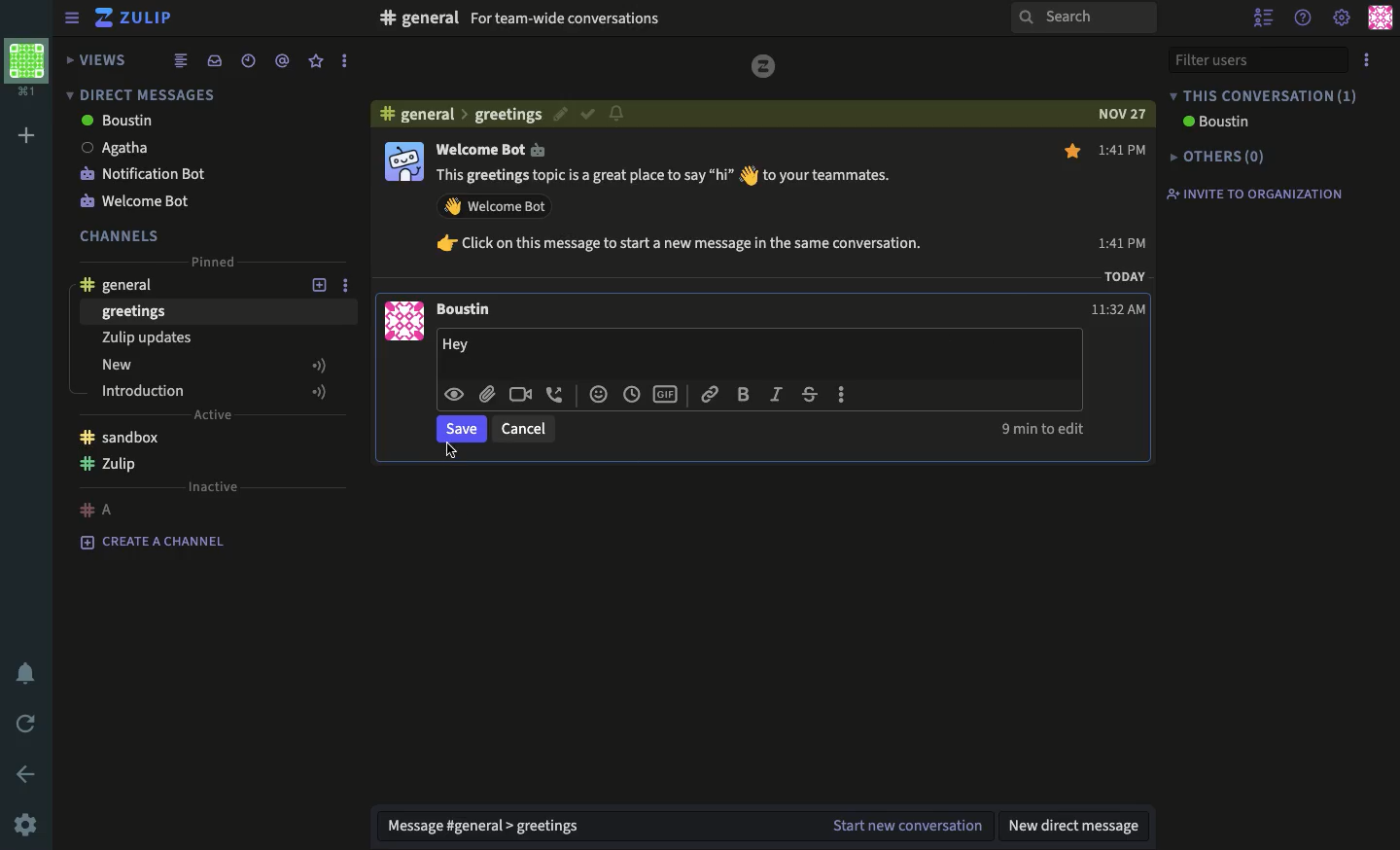  What do you see at coordinates (1382, 18) in the screenshot?
I see `user profile` at bounding box center [1382, 18].